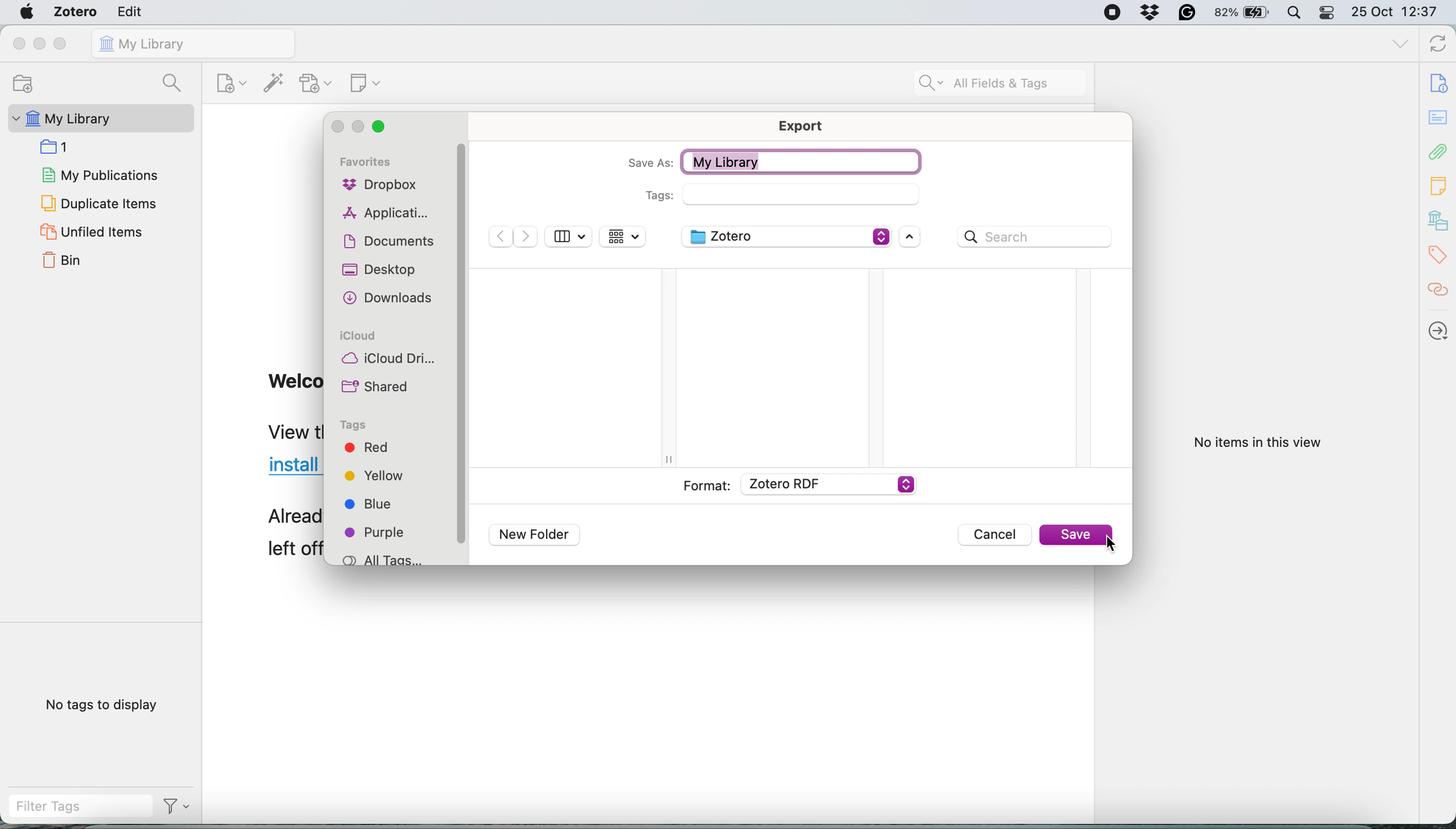  What do you see at coordinates (1397, 13) in the screenshot?
I see `25 Oct 12:37` at bounding box center [1397, 13].